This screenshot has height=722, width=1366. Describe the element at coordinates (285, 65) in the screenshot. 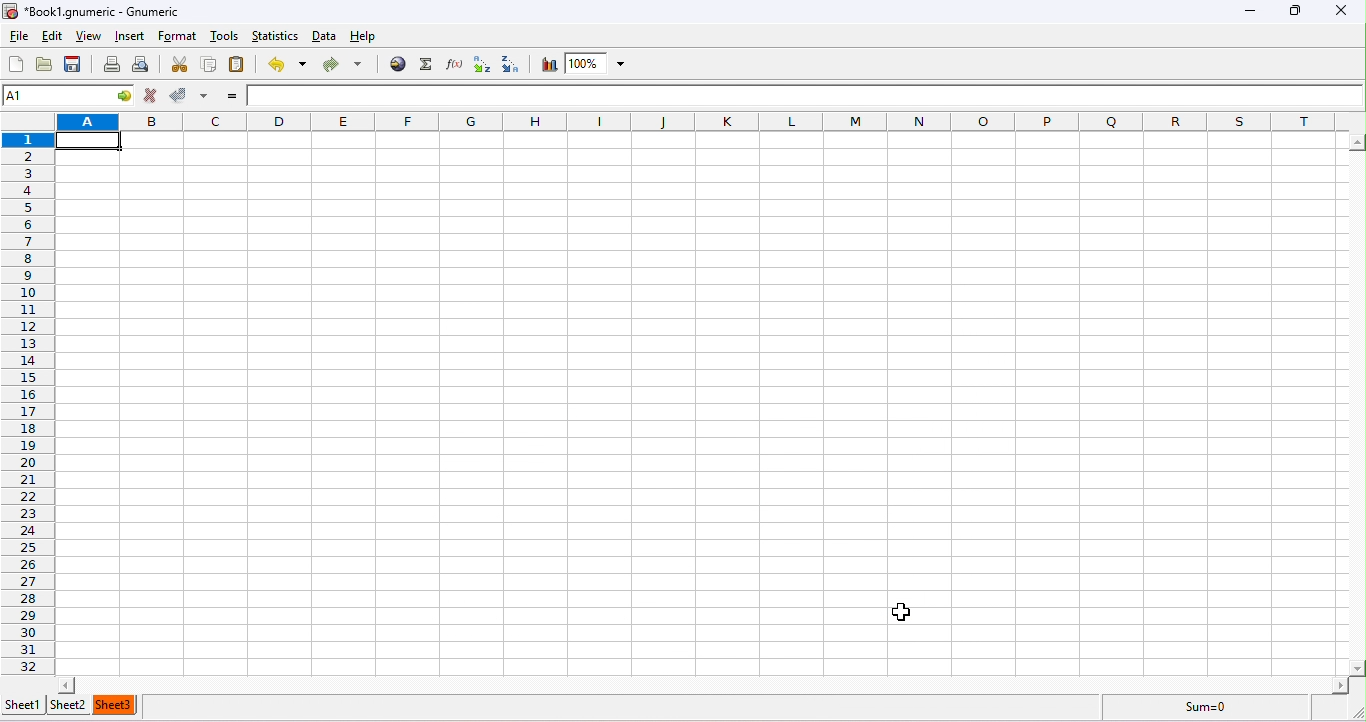

I see `undo` at that location.